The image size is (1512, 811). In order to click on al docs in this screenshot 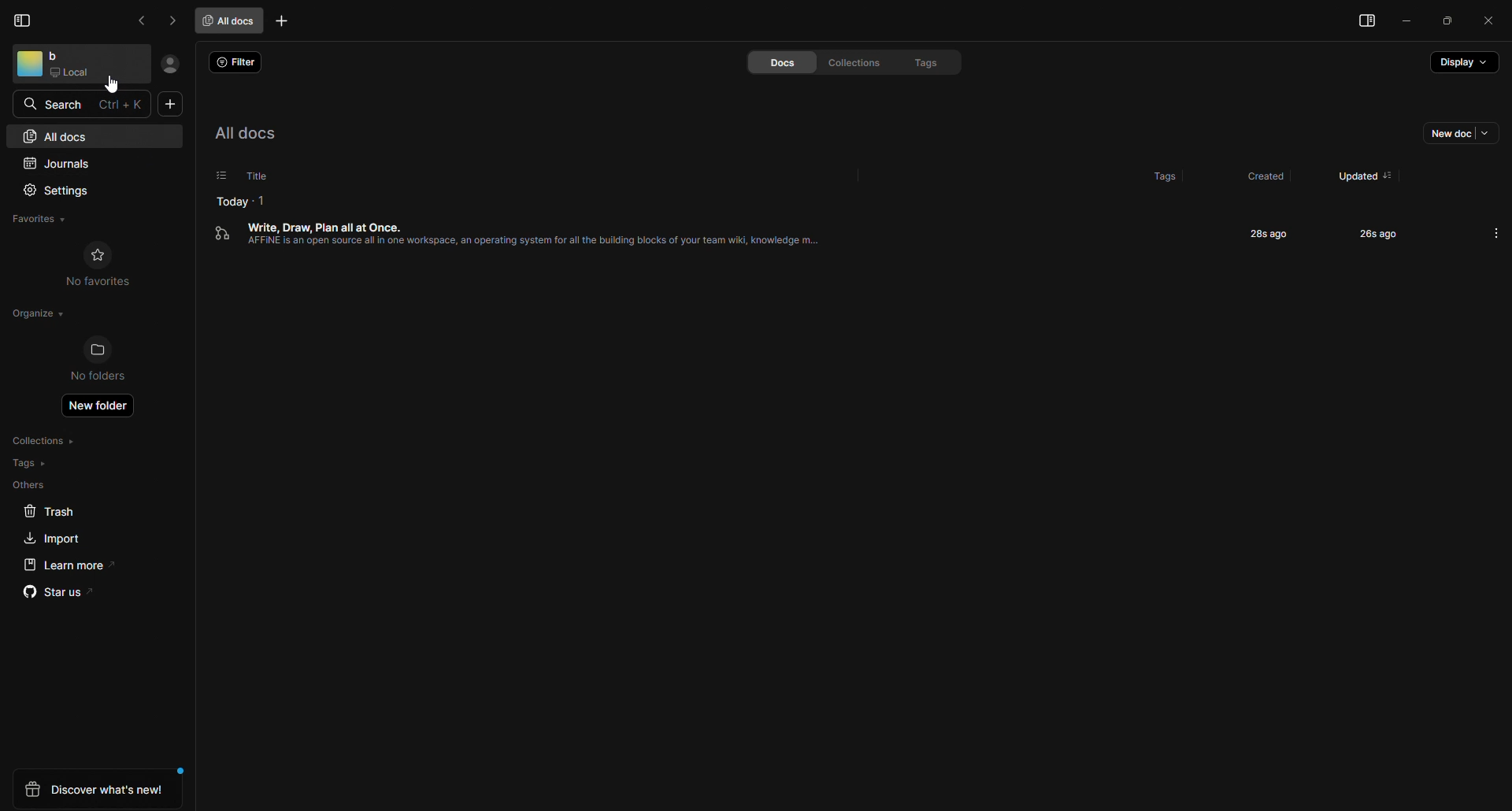, I will do `click(257, 133)`.